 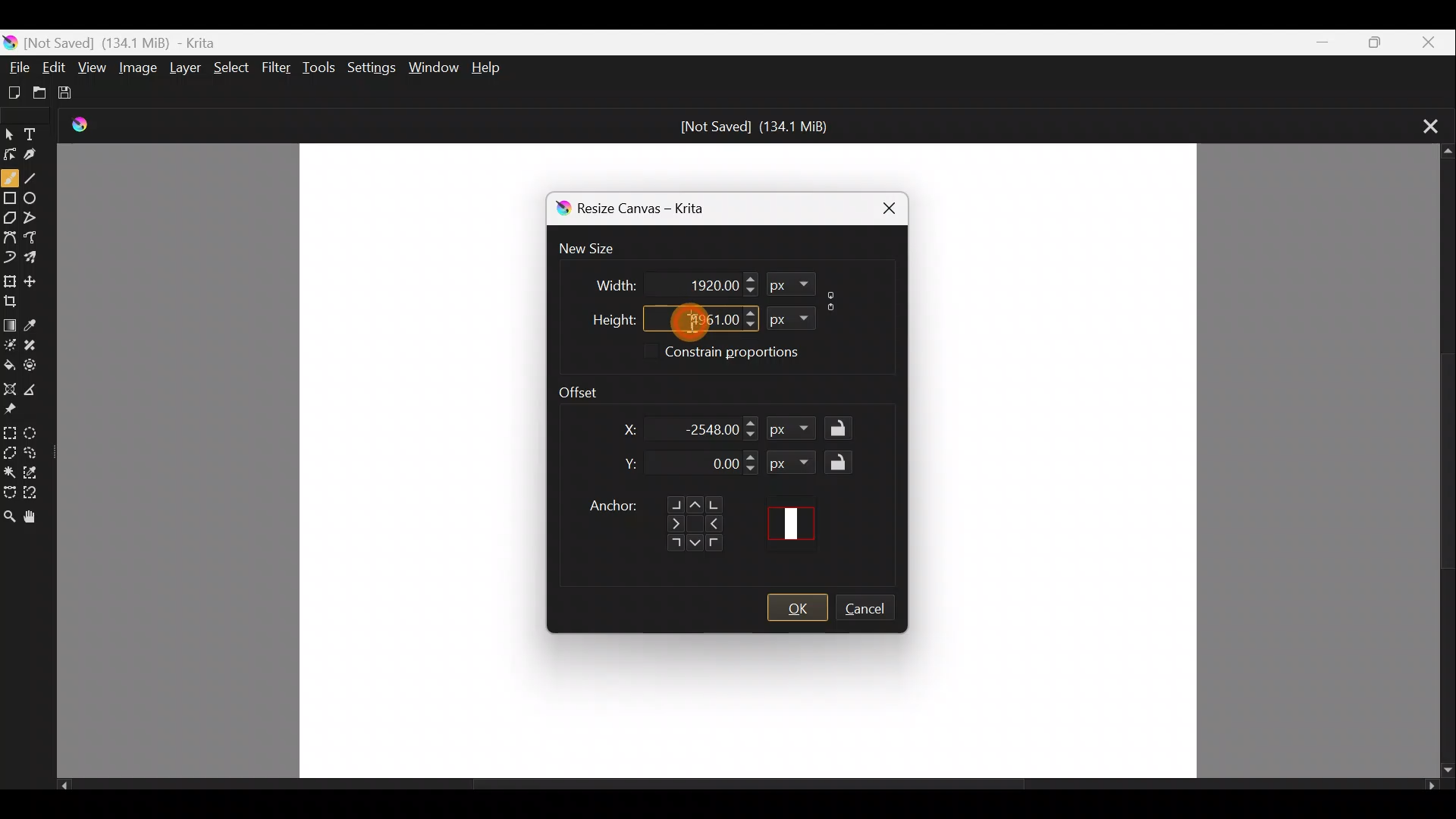 I want to click on Pan tool, so click(x=33, y=518).